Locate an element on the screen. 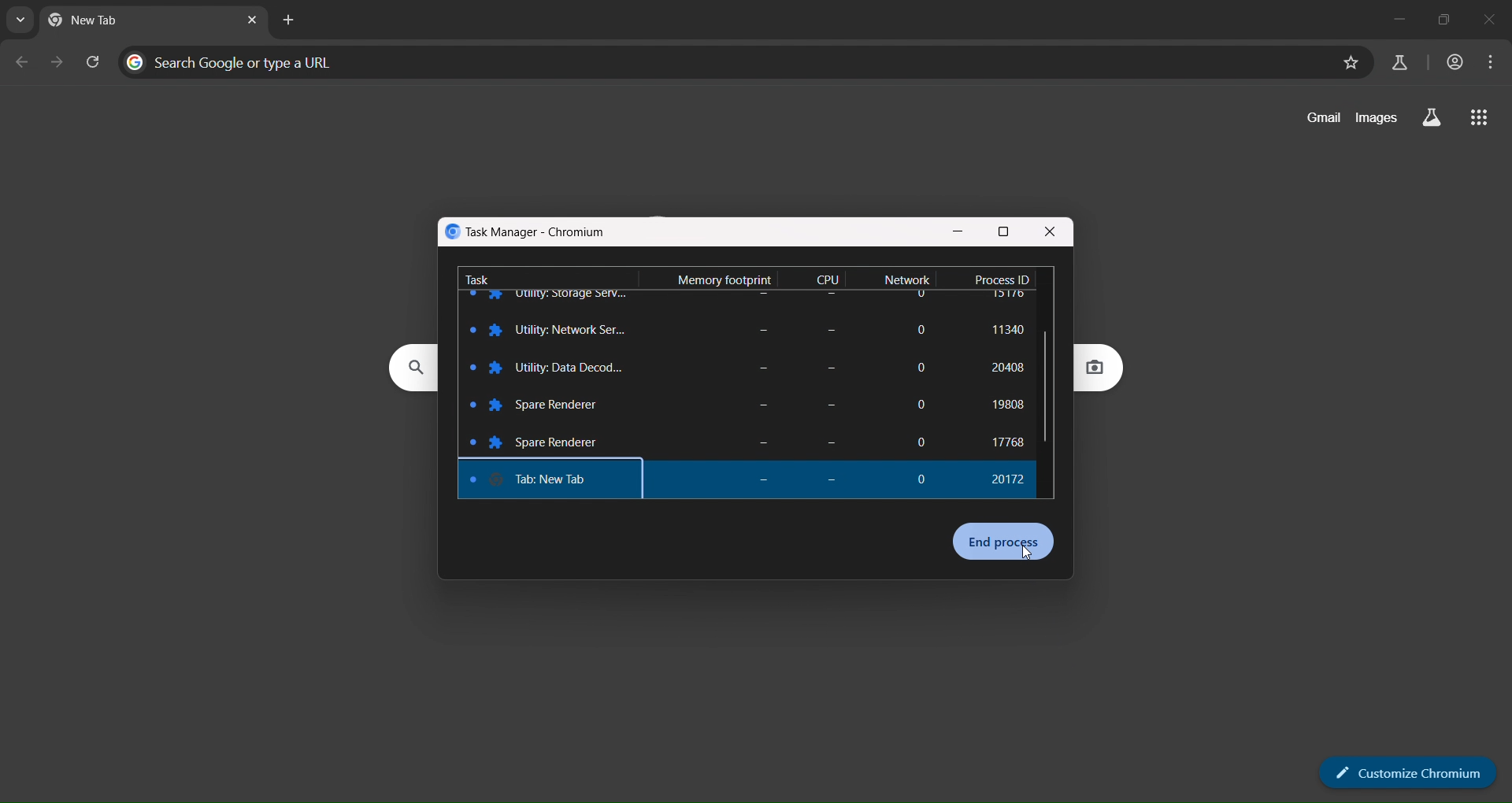  bookmark page is located at coordinates (1350, 62).